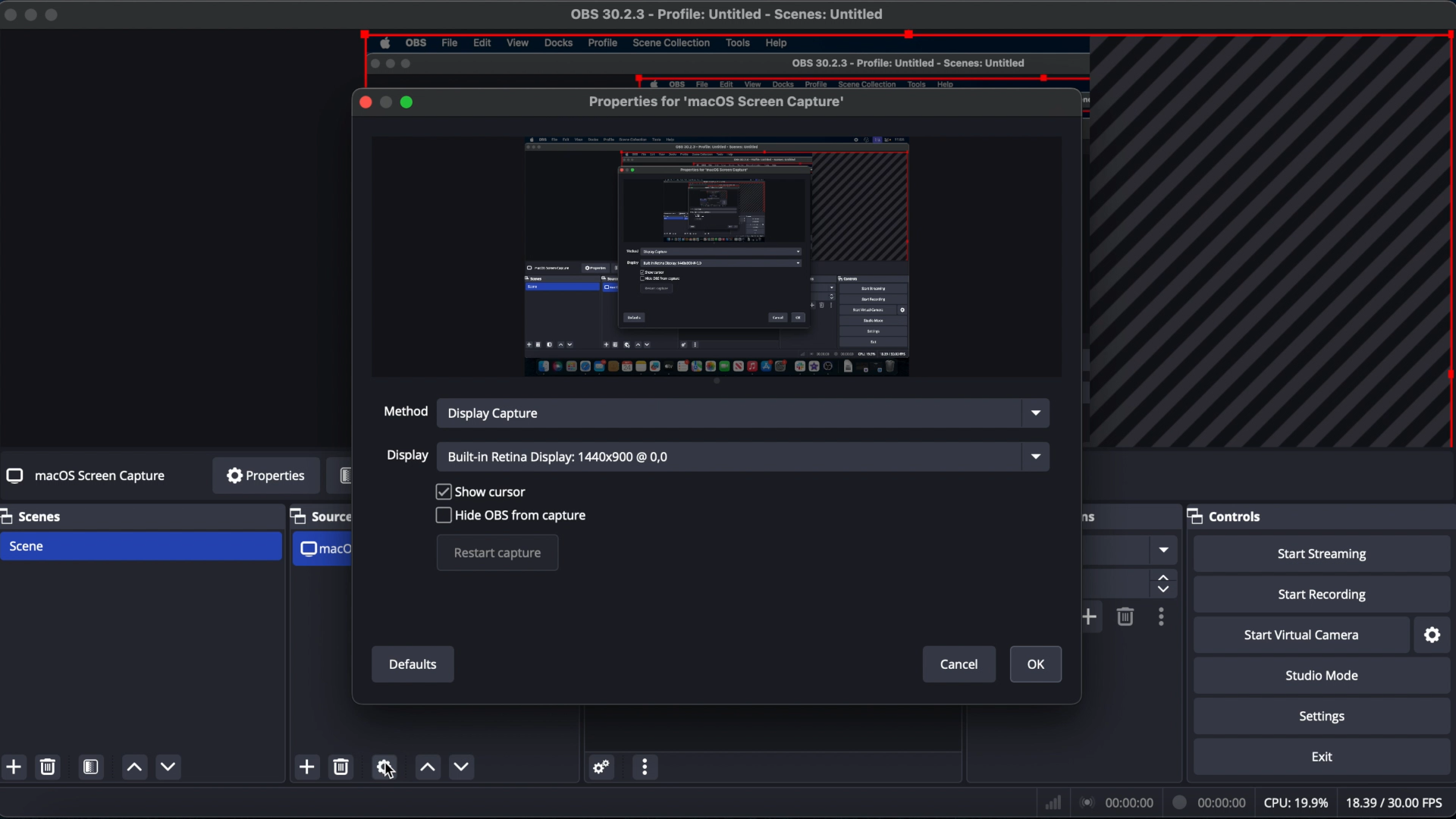 The height and width of the screenshot is (819, 1456). Describe the element at coordinates (1087, 617) in the screenshot. I see `add configurable transition` at that location.